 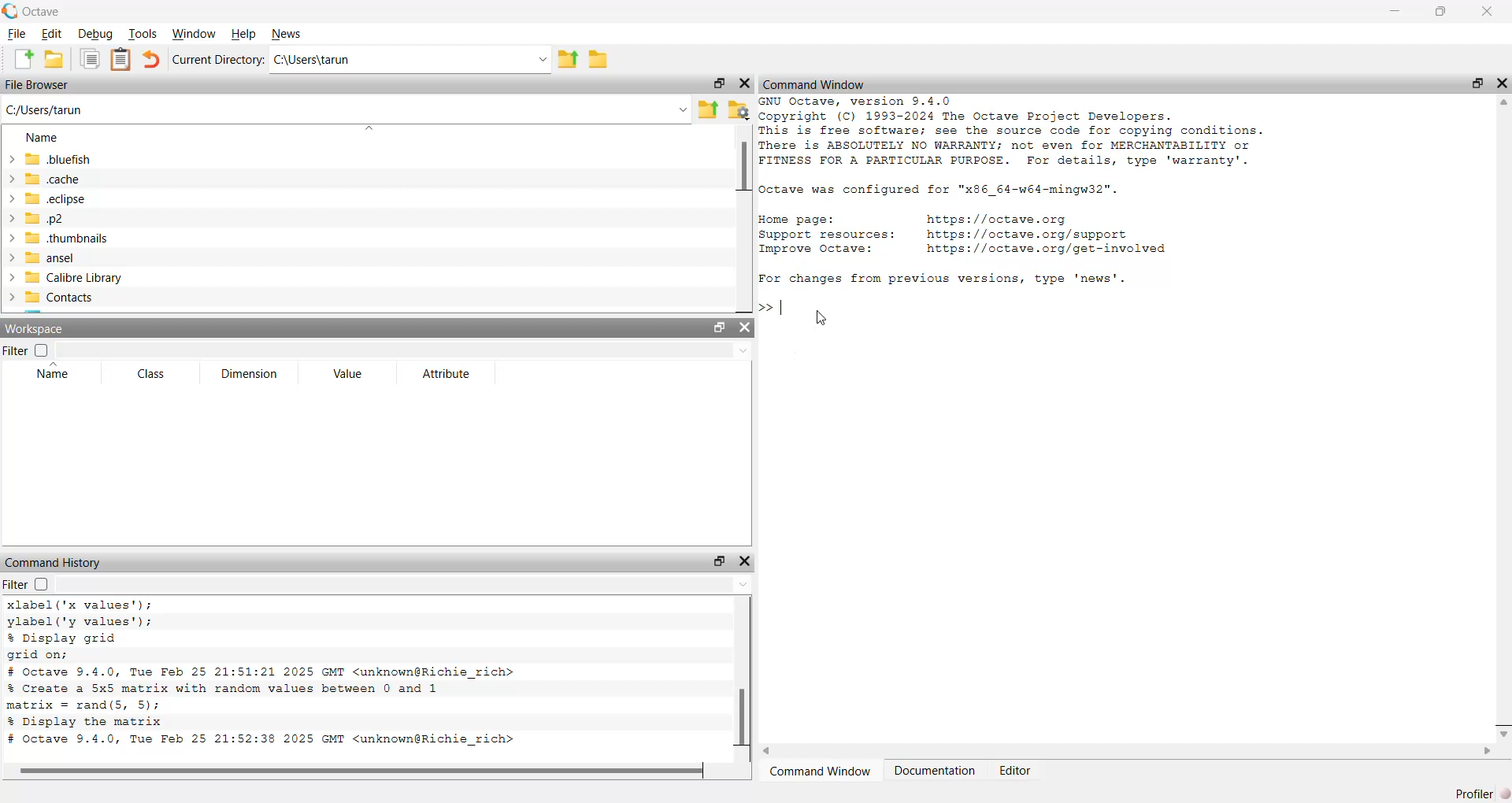 I want to click on drop down, so click(x=538, y=58).